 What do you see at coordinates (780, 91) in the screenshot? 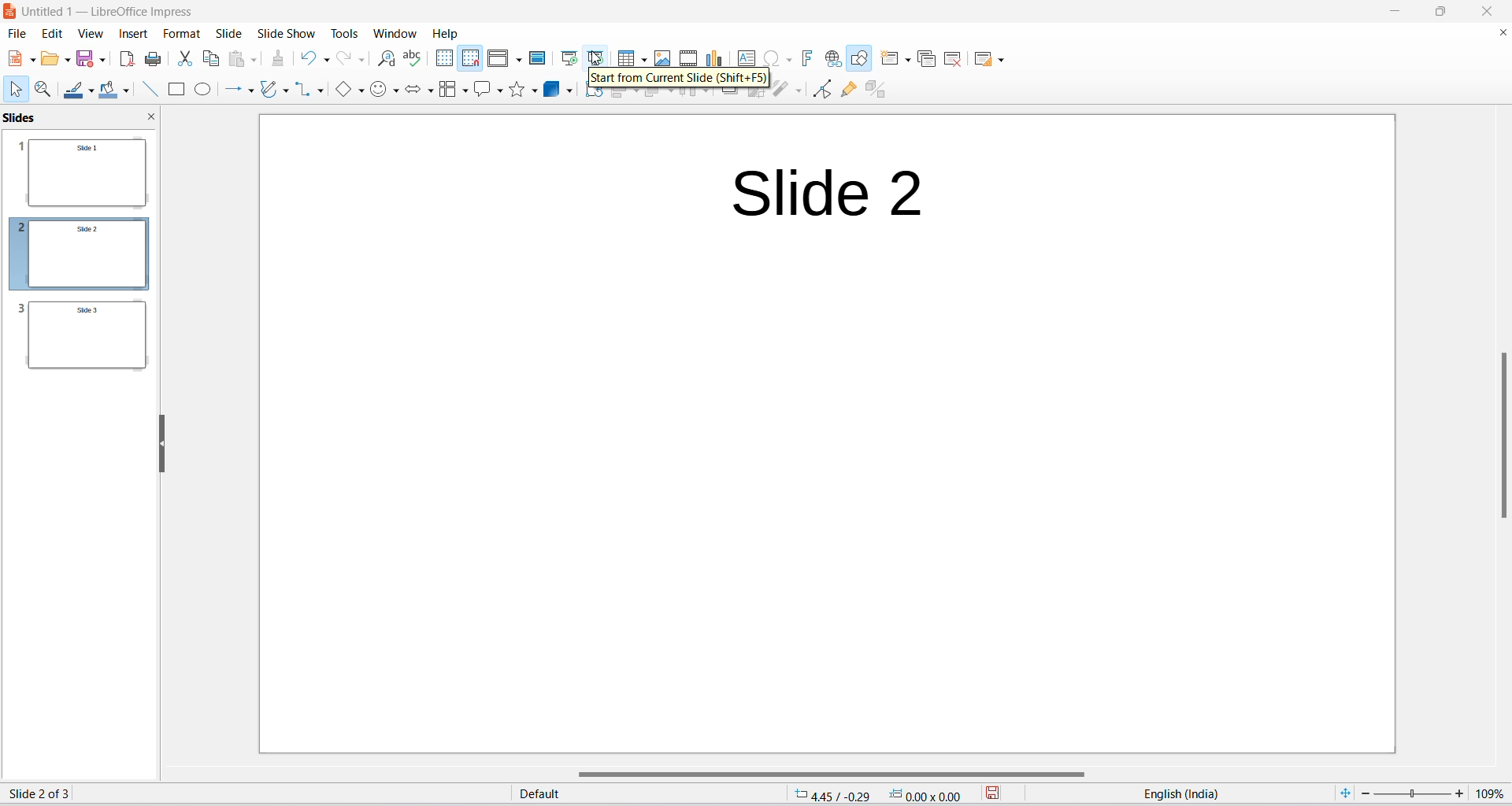
I see `filter` at bounding box center [780, 91].